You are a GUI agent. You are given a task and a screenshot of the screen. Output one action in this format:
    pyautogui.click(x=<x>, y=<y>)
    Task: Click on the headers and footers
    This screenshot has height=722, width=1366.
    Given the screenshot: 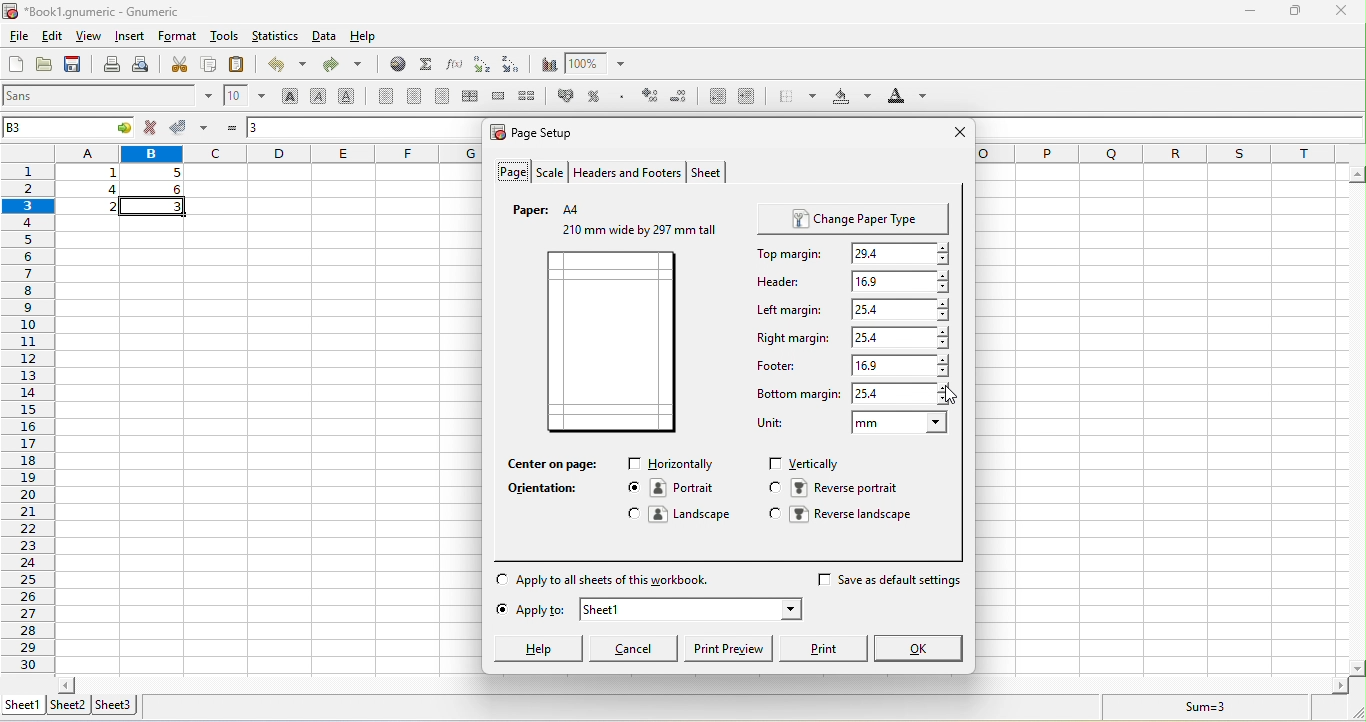 What is the action you would take?
    pyautogui.click(x=629, y=171)
    